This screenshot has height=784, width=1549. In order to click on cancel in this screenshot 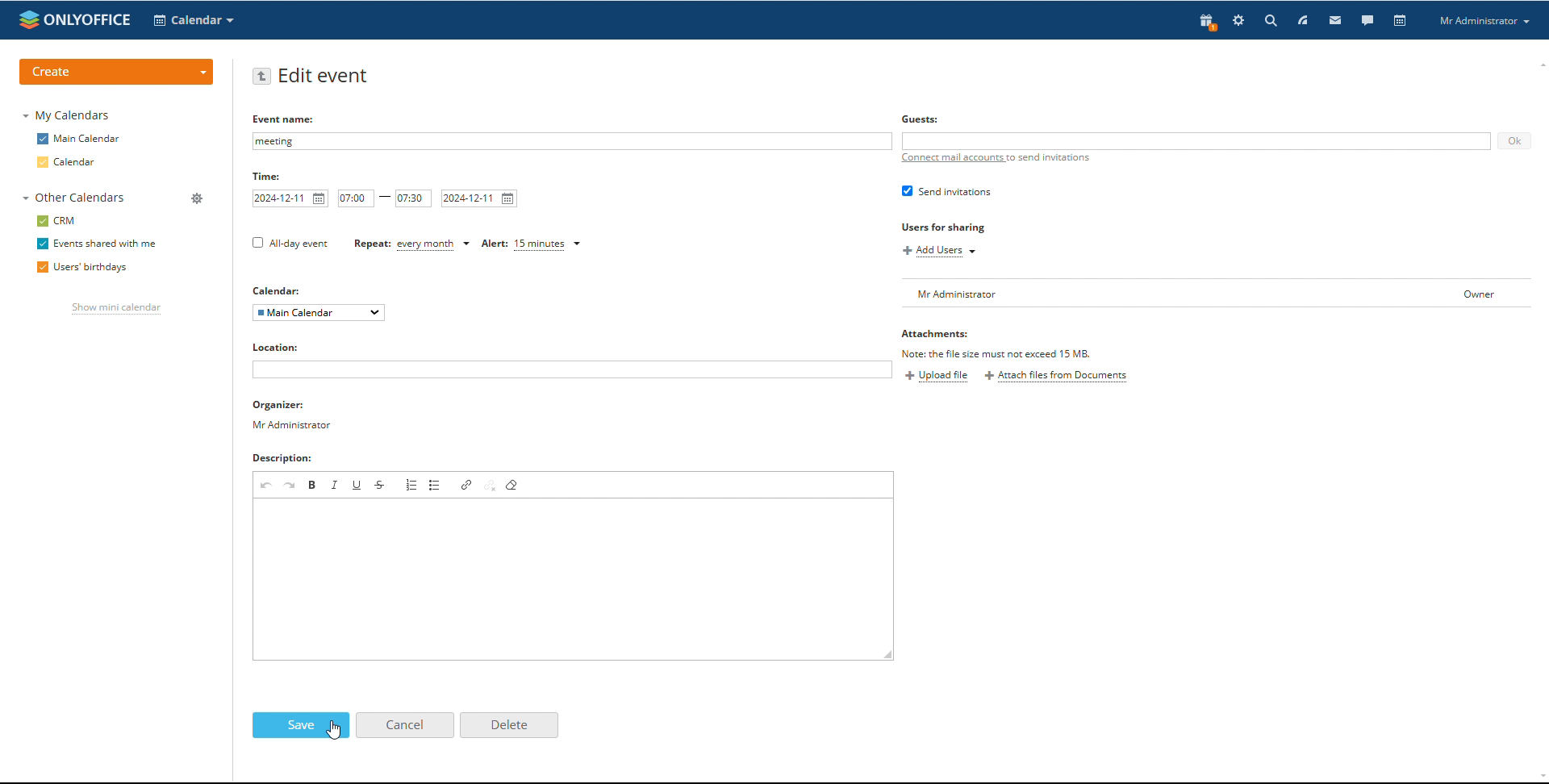, I will do `click(404, 725)`.